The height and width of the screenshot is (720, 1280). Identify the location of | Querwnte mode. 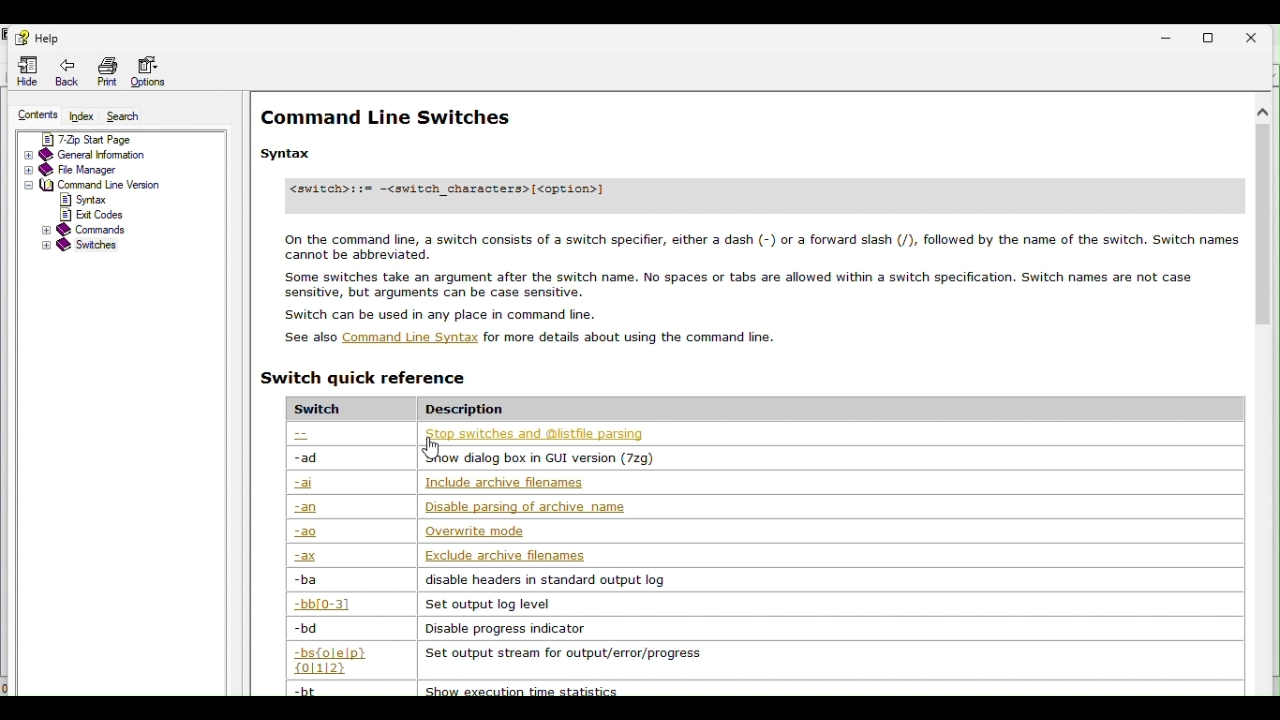
(481, 532).